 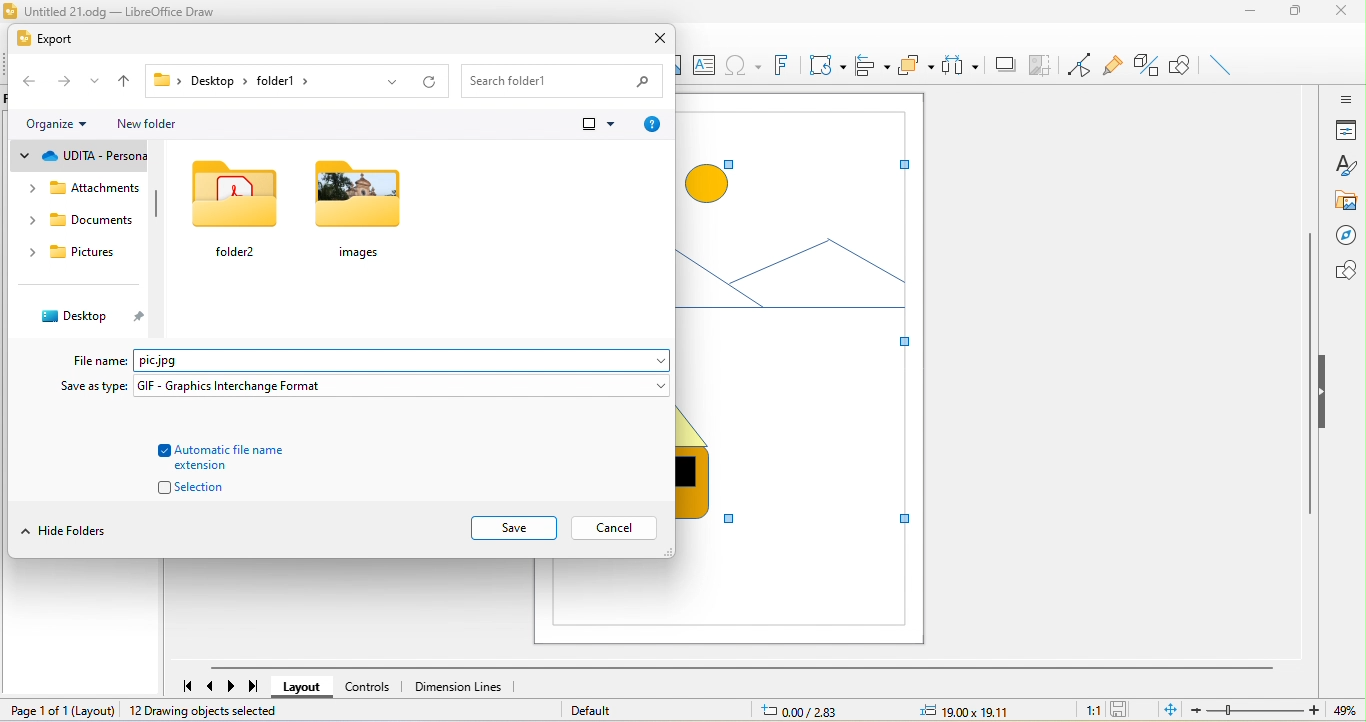 I want to click on file name and type , so click(x=399, y=361).